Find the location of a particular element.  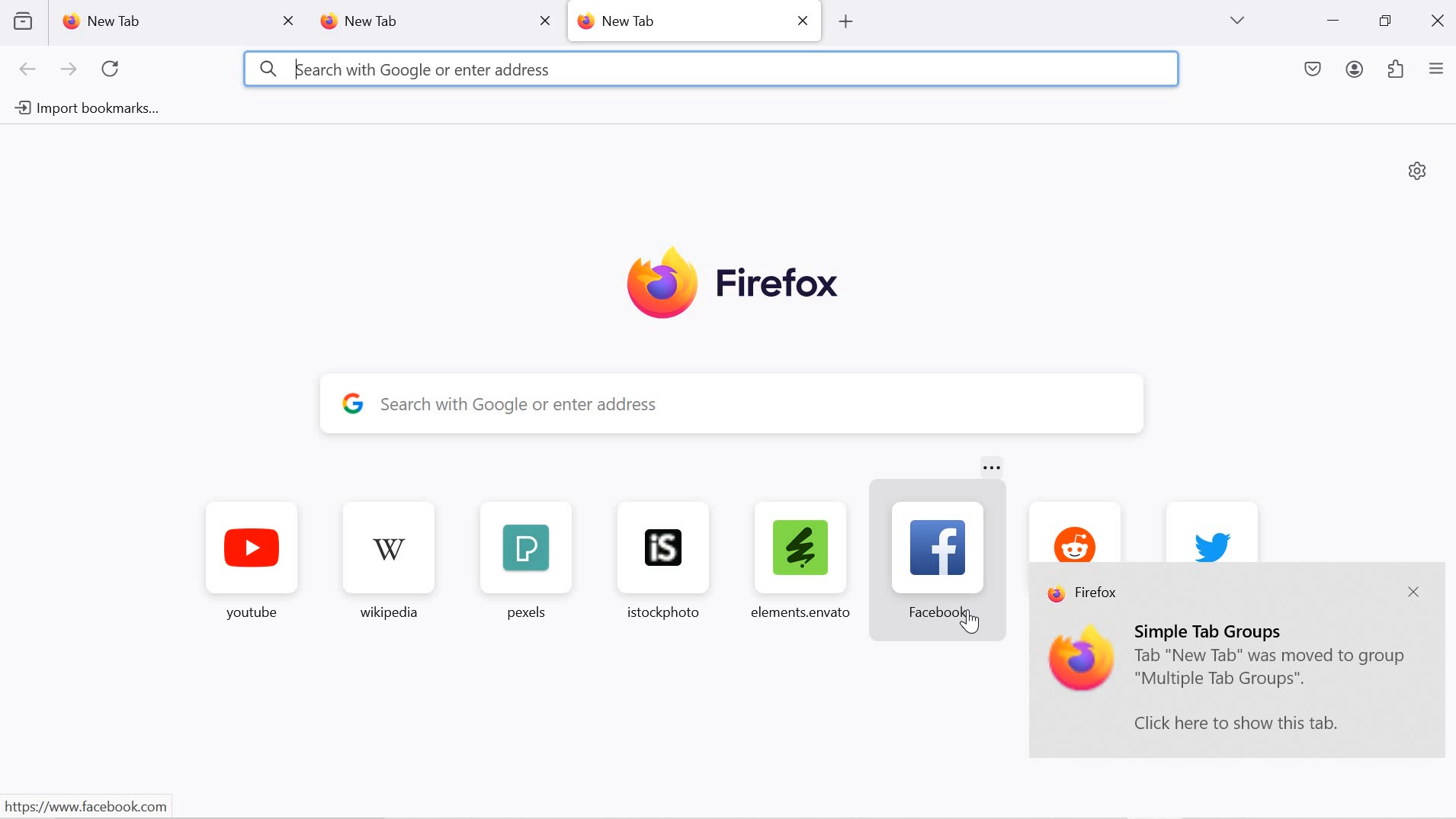

personalize new tab is located at coordinates (1418, 170).